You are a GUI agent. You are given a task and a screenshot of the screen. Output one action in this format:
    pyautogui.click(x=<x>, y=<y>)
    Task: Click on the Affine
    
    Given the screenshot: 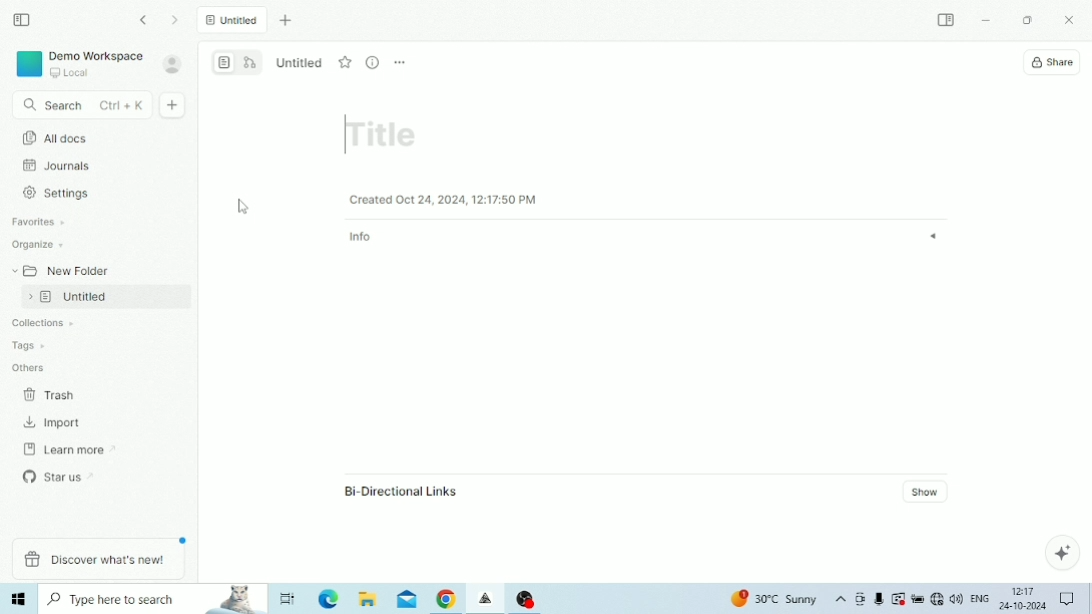 What is the action you would take?
    pyautogui.click(x=487, y=599)
    